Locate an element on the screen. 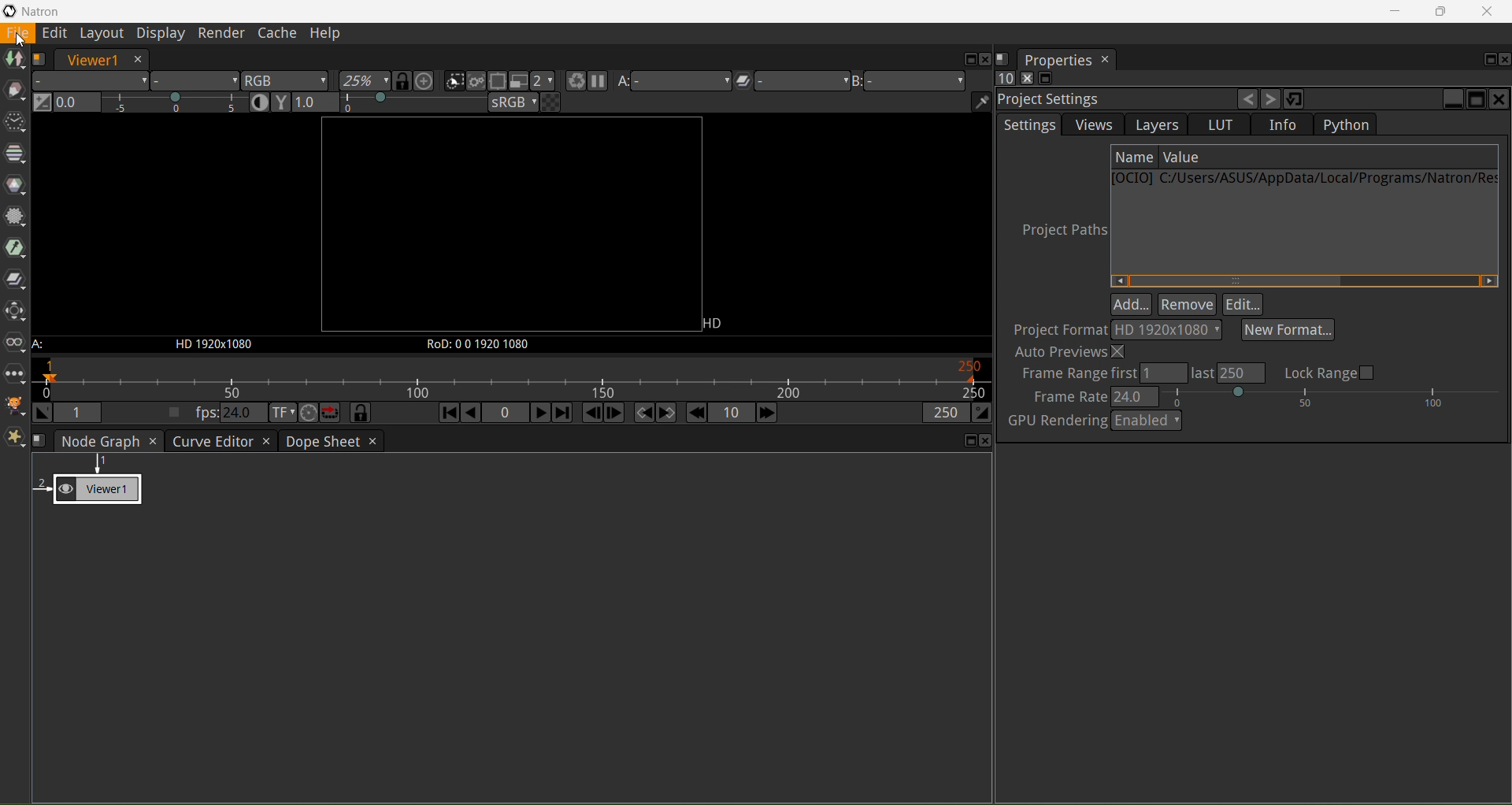  Properties is located at coordinates (1056, 61).